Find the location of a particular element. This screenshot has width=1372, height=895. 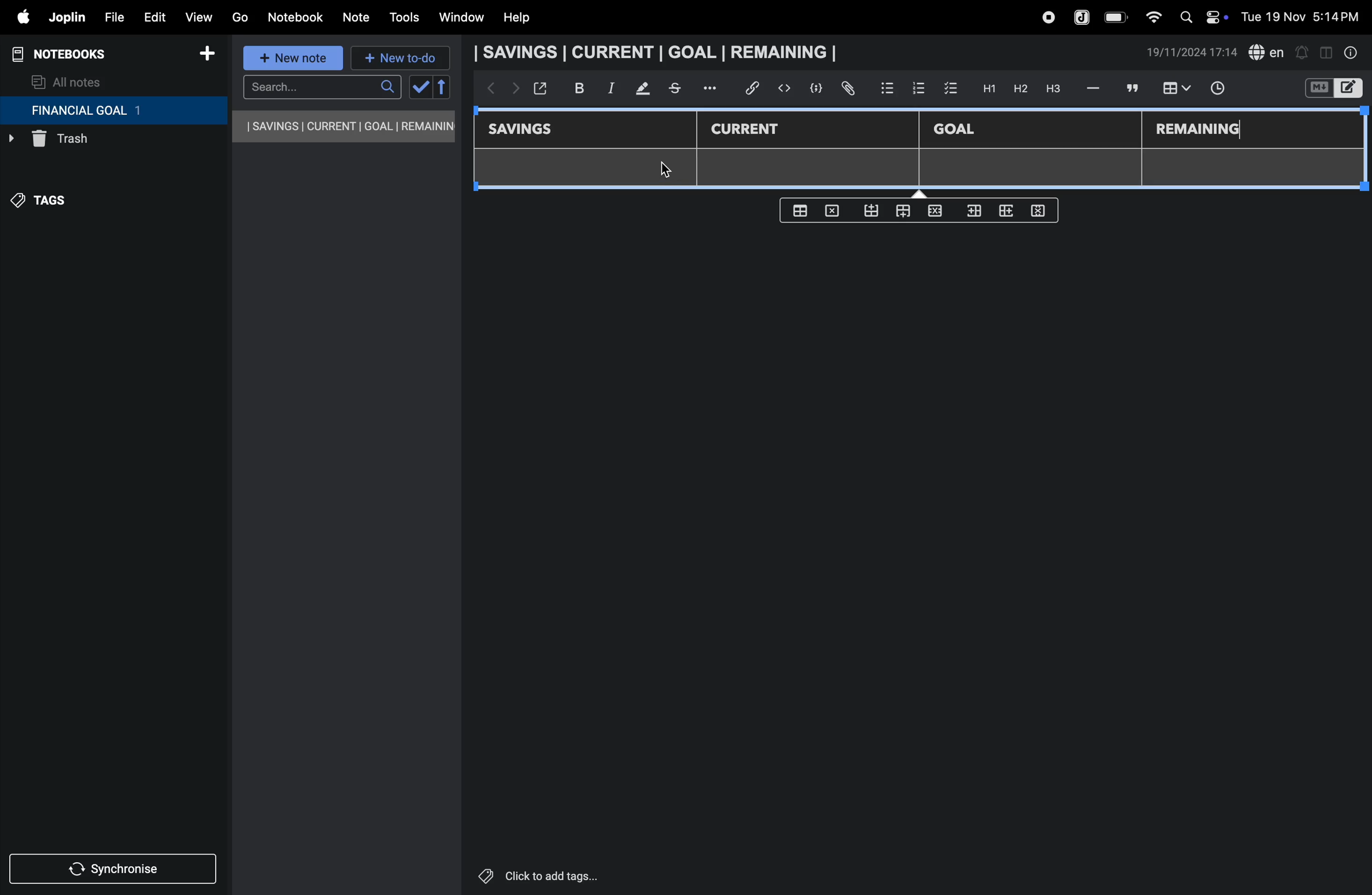

synchronize is located at coordinates (114, 867).